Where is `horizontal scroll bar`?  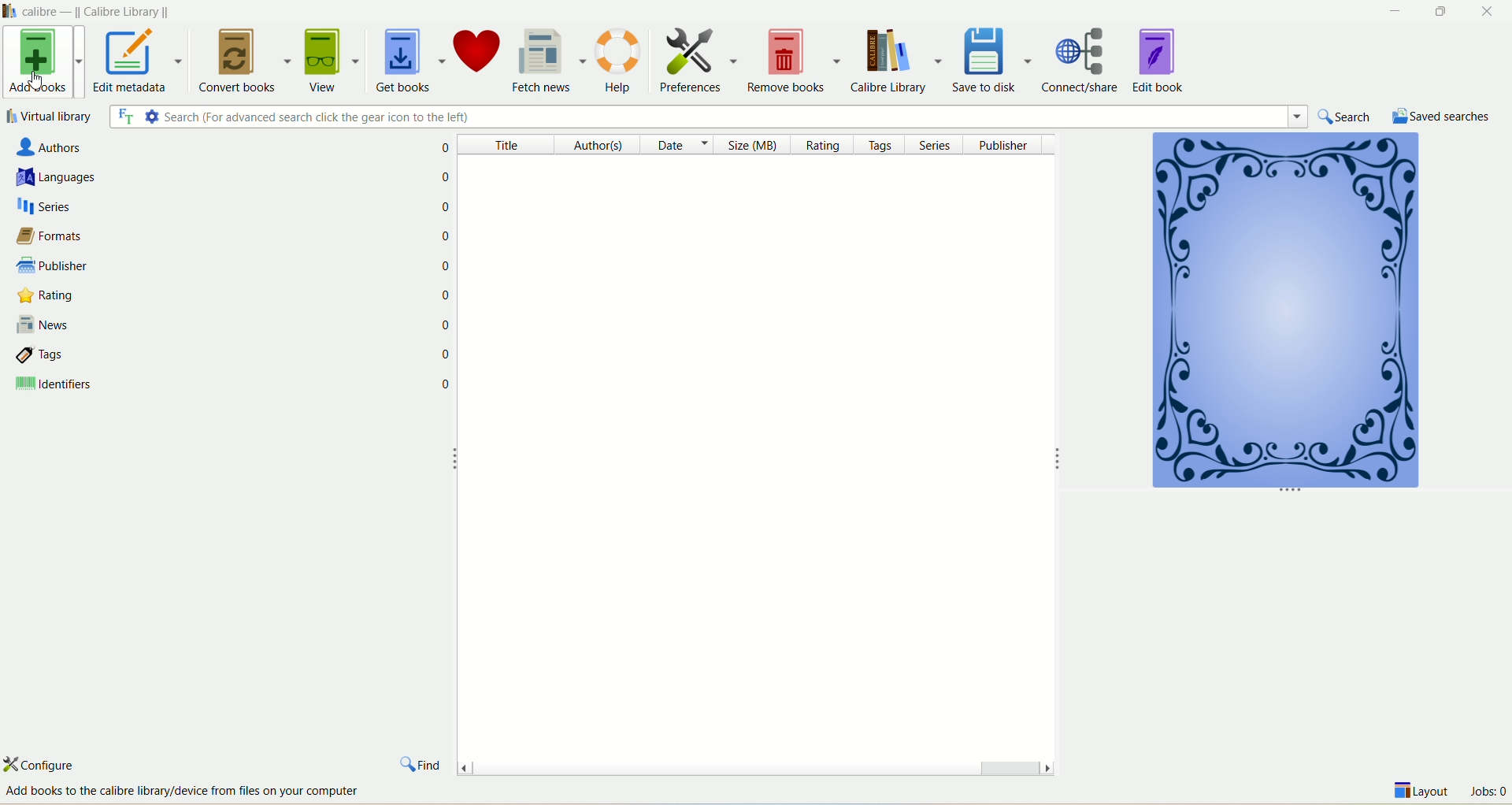 horizontal scroll bar is located at coordinates (754, 764).